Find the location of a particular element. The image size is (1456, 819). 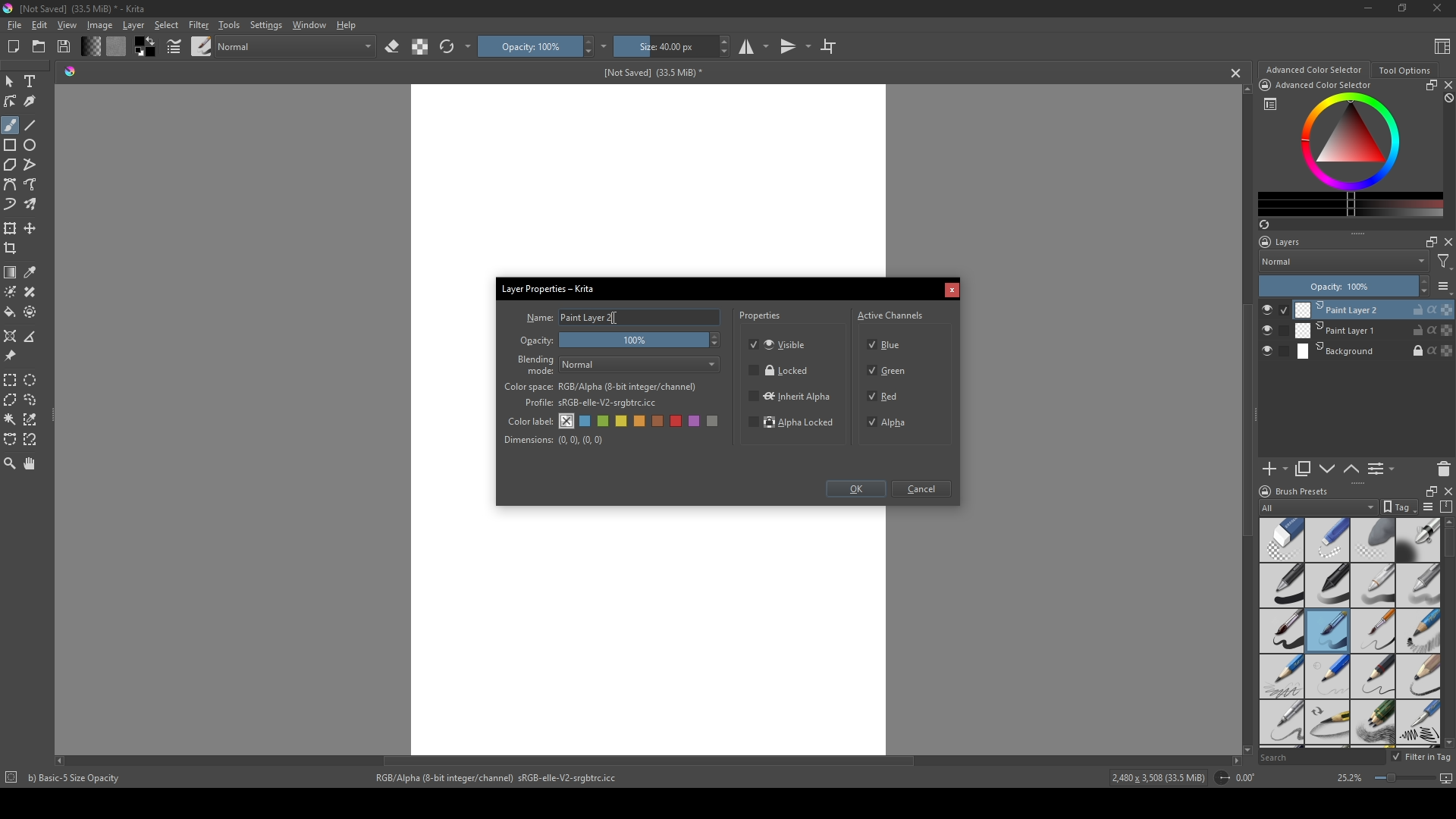

soft eraser is located at coordinates (1373, 539).